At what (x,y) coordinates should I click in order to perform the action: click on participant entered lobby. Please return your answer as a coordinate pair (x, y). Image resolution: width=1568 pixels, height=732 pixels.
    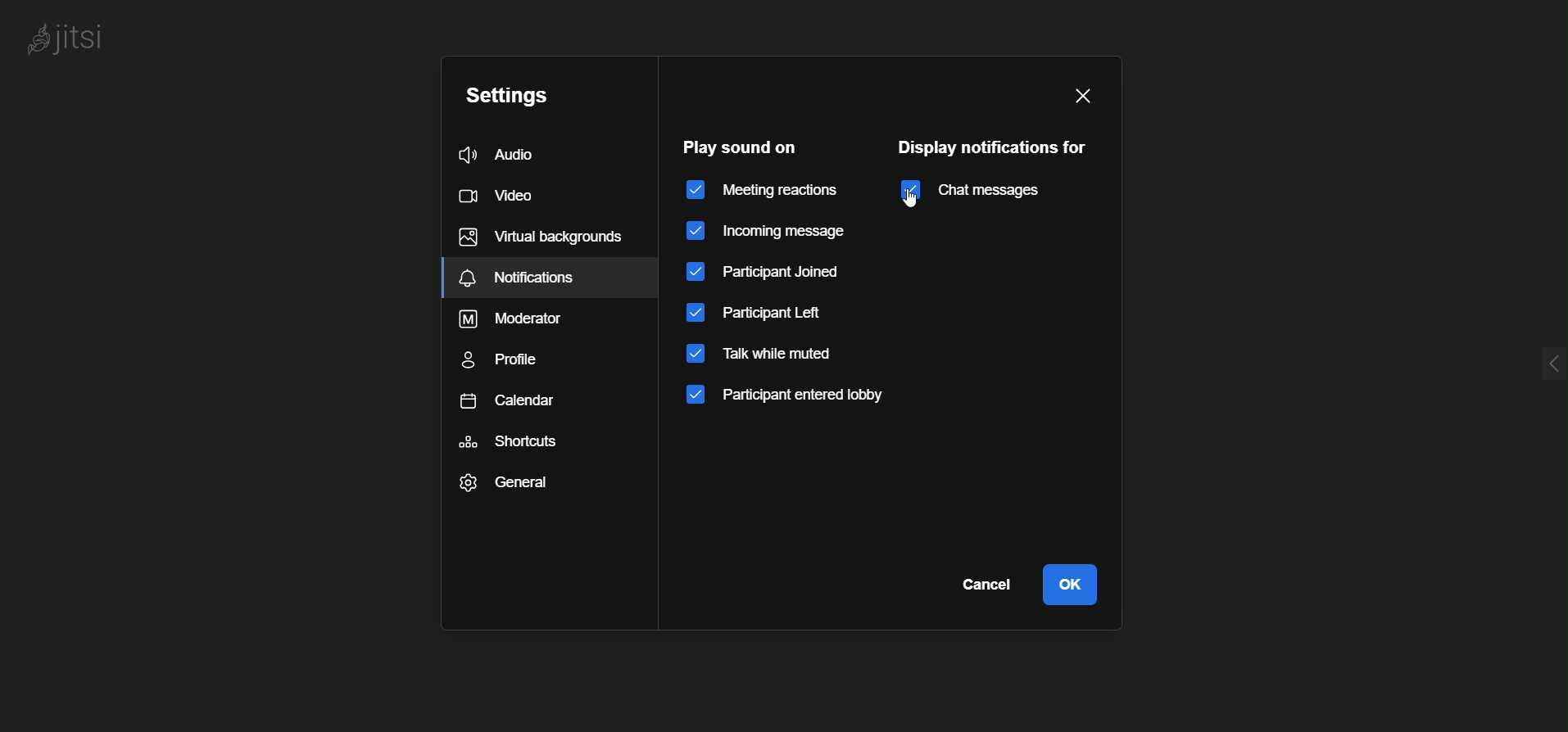
    Looking at the image, I should click on (794, 399).